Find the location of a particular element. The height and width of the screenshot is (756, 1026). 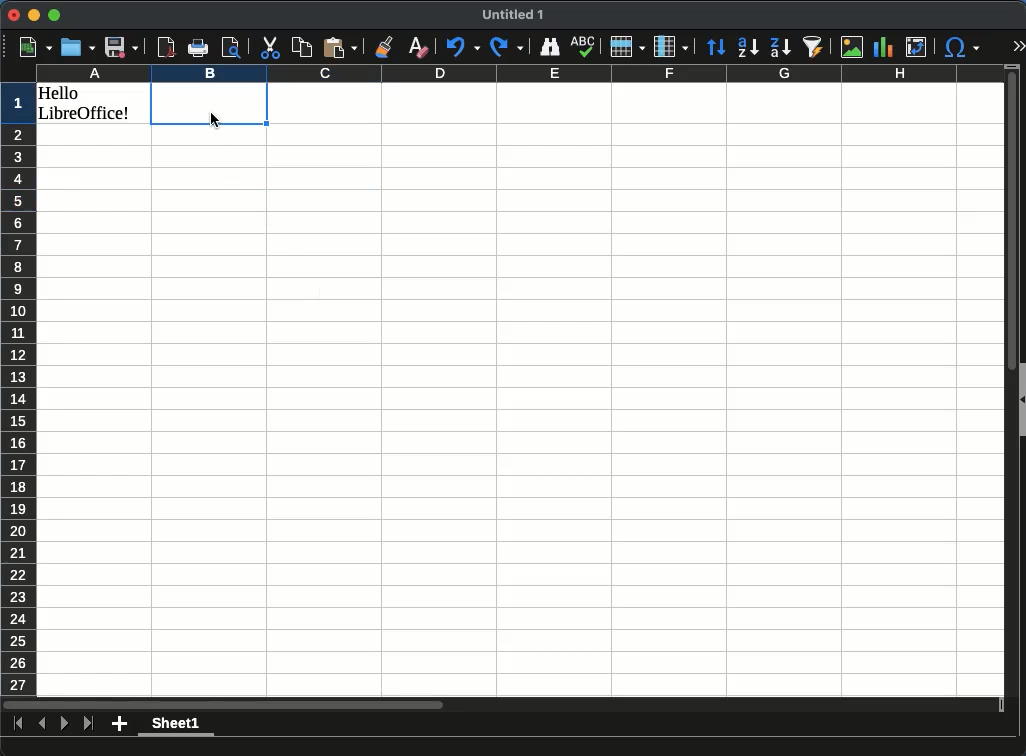

last sheet is located at coordinates (89, 723).